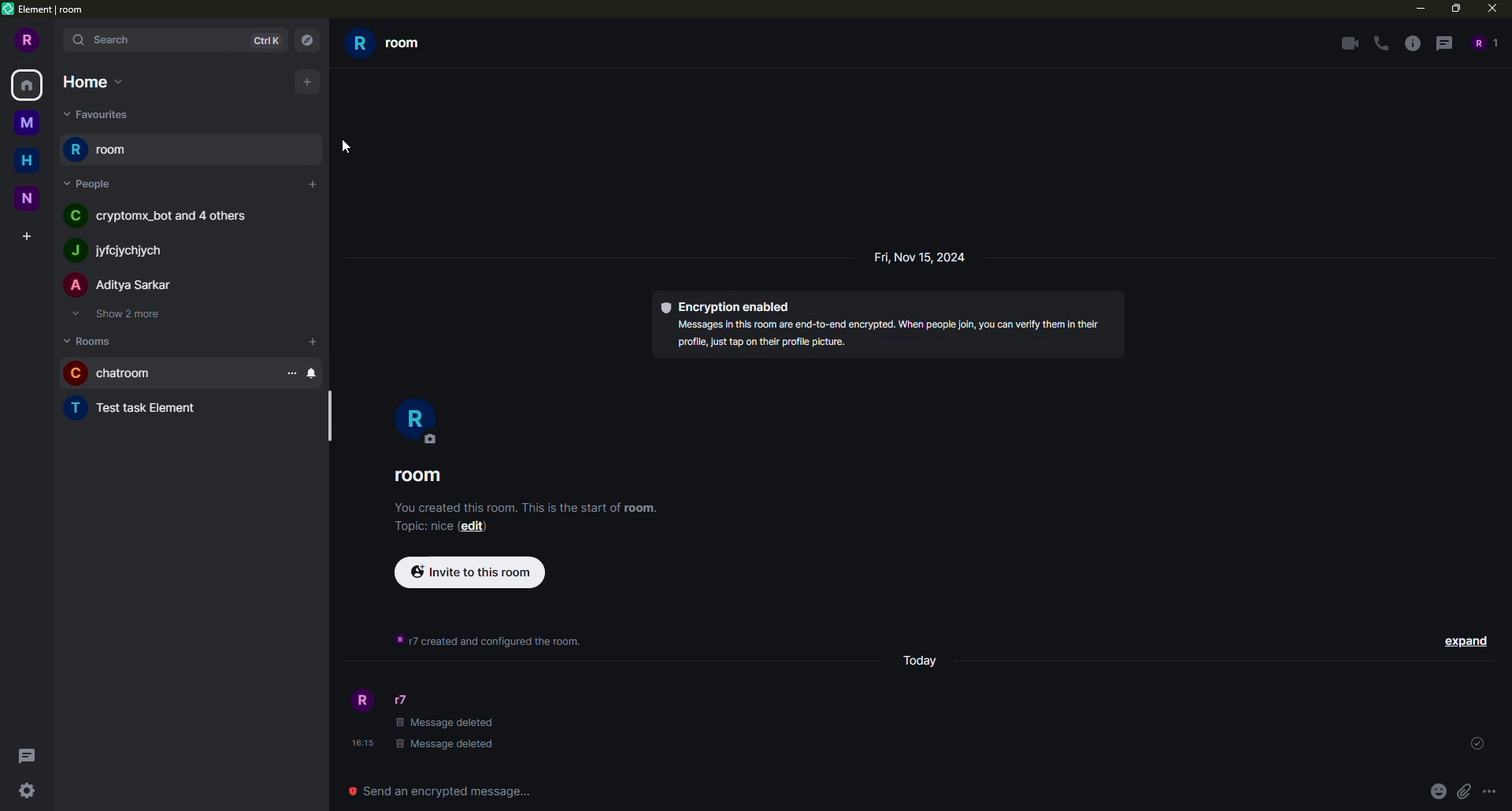  Describe the element at coordinates (1493, 9) in the screenshot. I see `close` at that location.